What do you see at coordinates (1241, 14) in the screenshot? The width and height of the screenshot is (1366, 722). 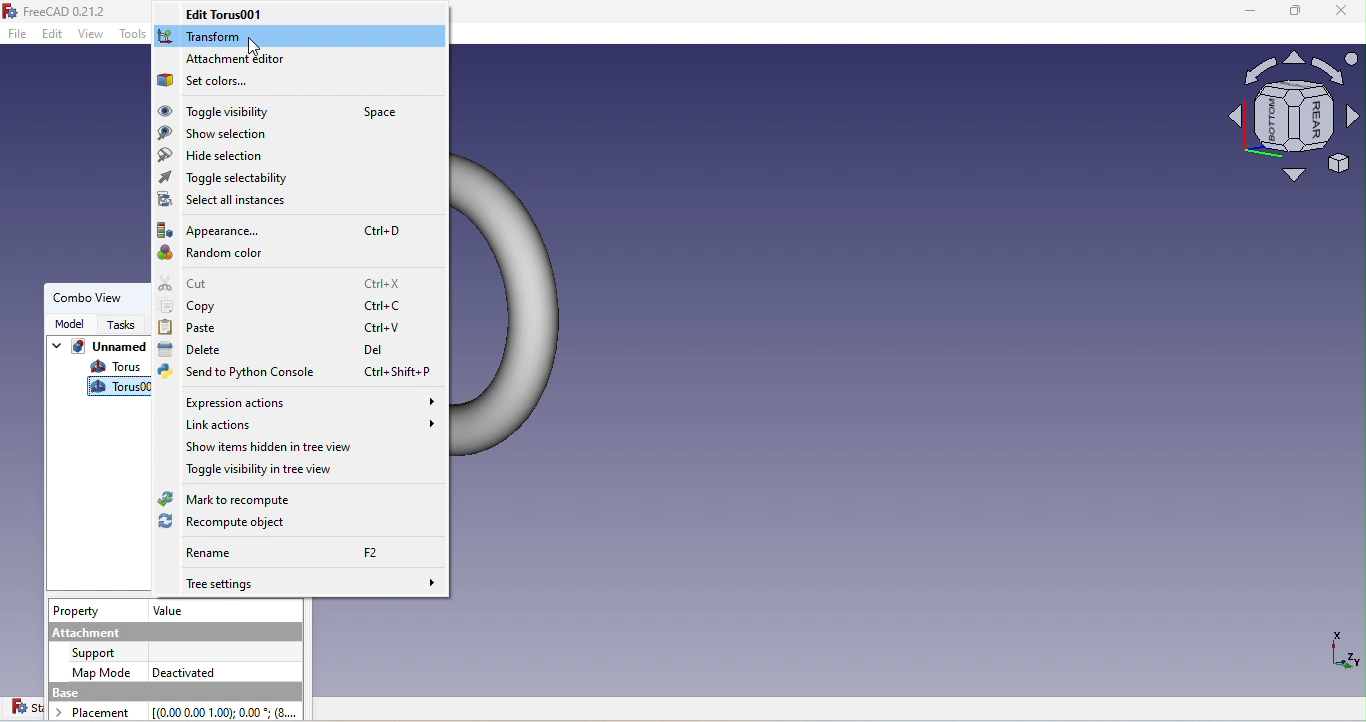 I see `Minimize` at bounding box center [1241, 14].